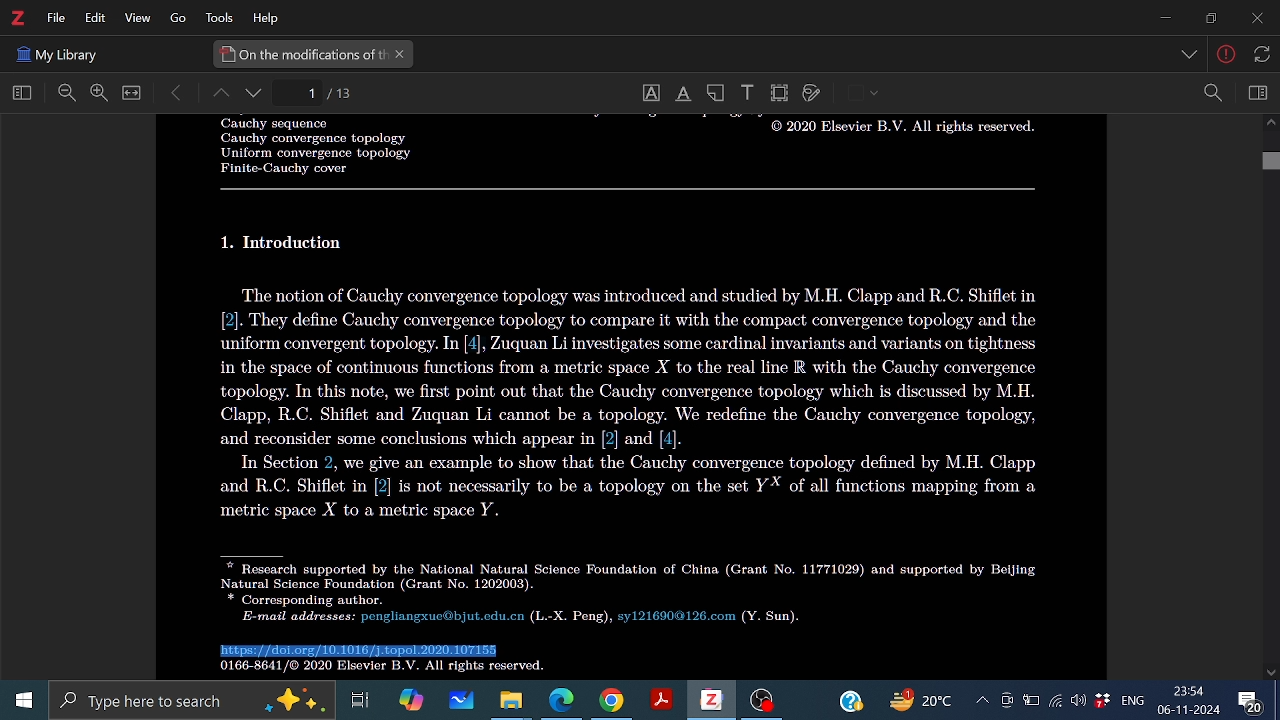 This screenshot has width=1280, height=720. What do you see at coordinates (1270, 163) in the screenshot?
I see `Vertical scrollbar` at bounding box center [1270, 163].